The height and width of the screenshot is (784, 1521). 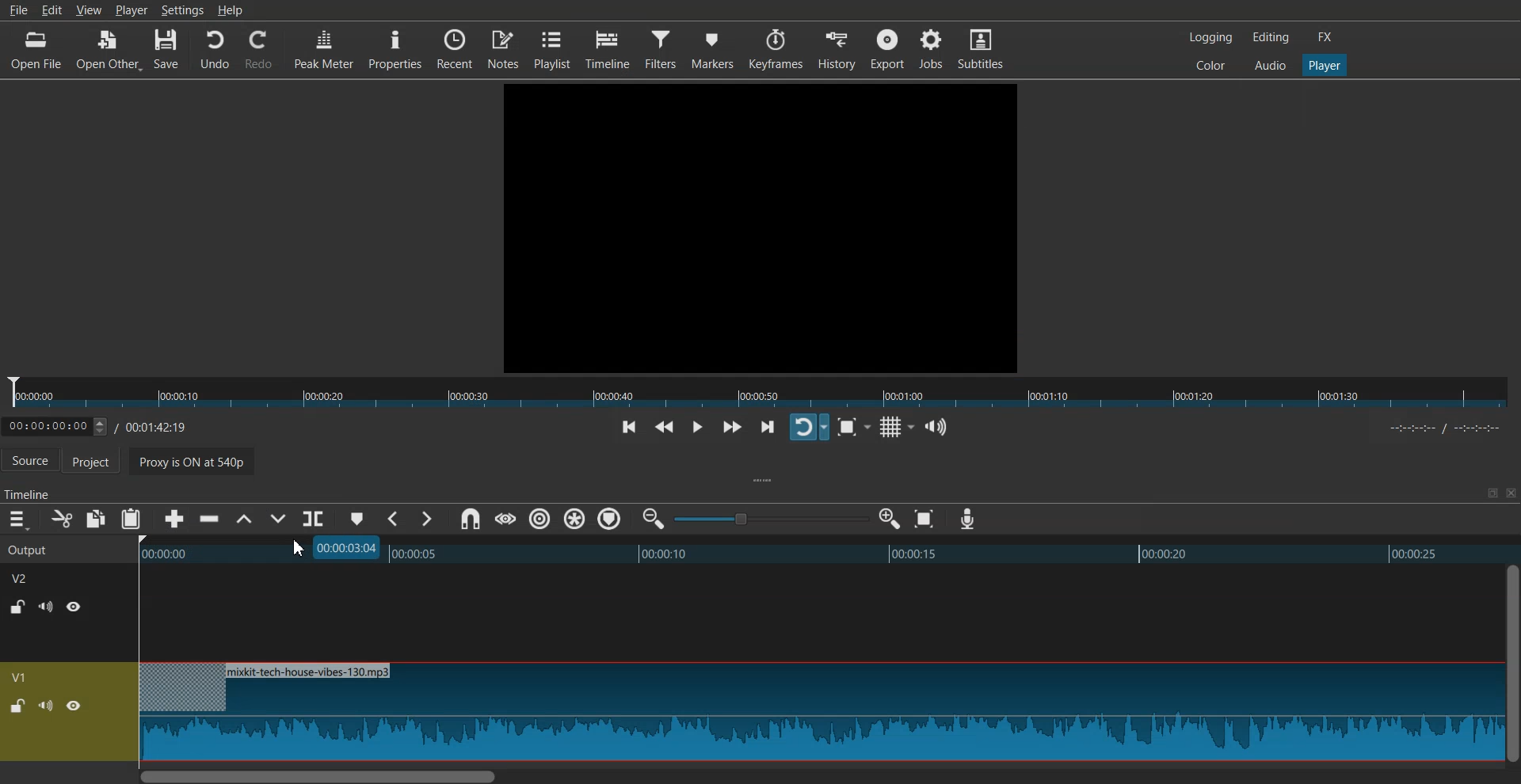 I want to click on Previous Marker, so click(x=395, y=519).